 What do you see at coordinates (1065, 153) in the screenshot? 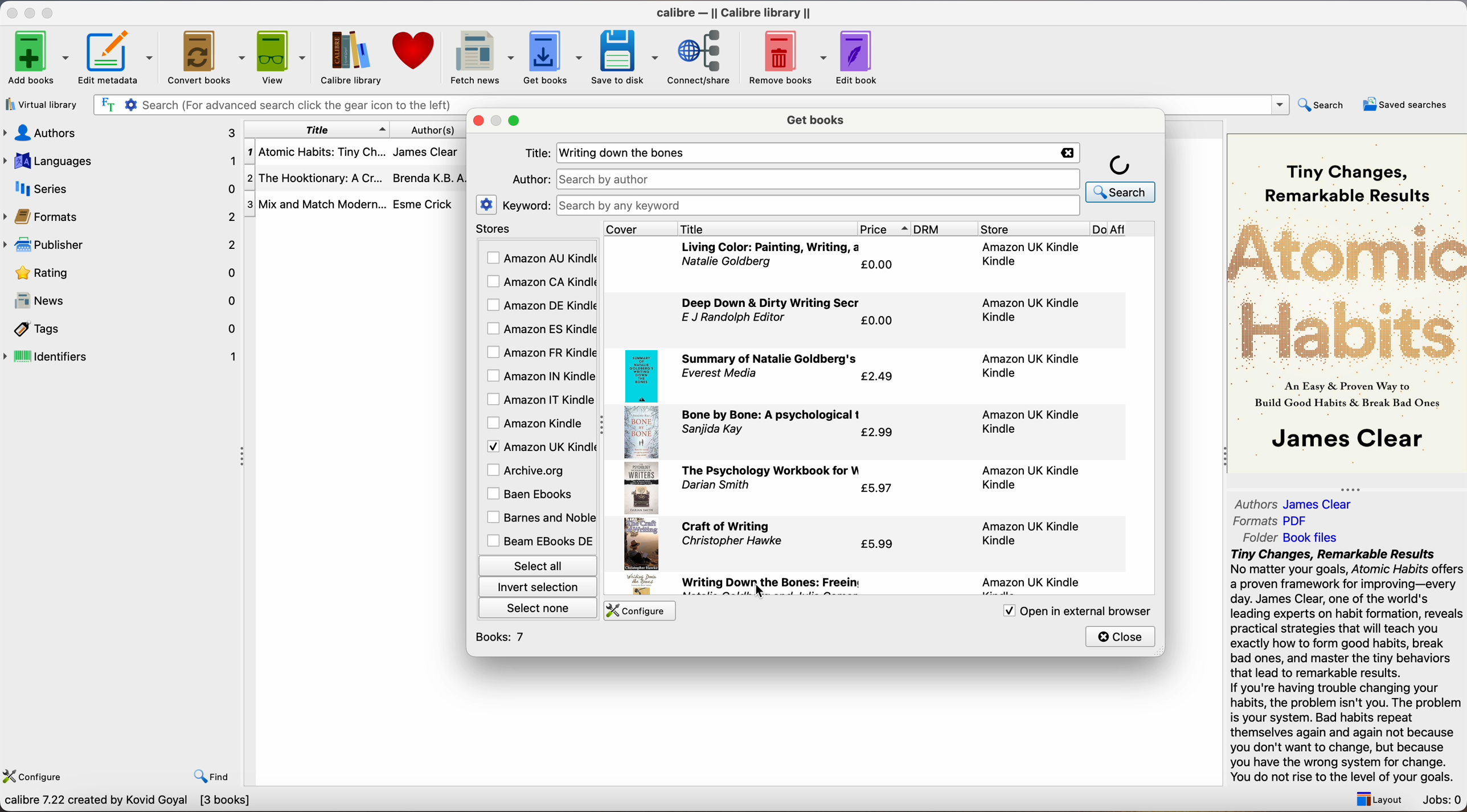
I see `clear` at bounding box center [1065, 153].